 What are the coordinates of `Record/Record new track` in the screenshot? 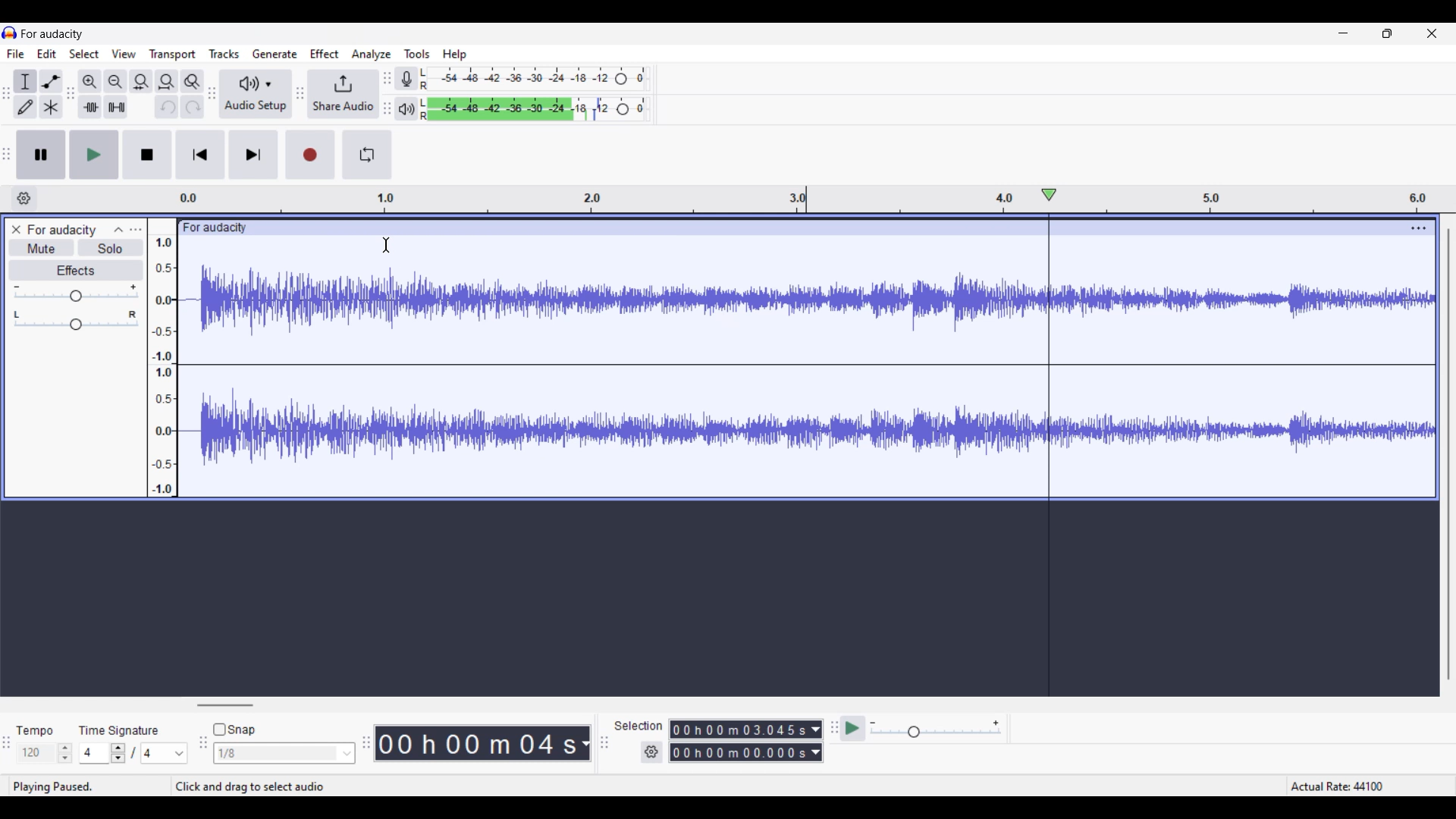 It's located at (310, 155).